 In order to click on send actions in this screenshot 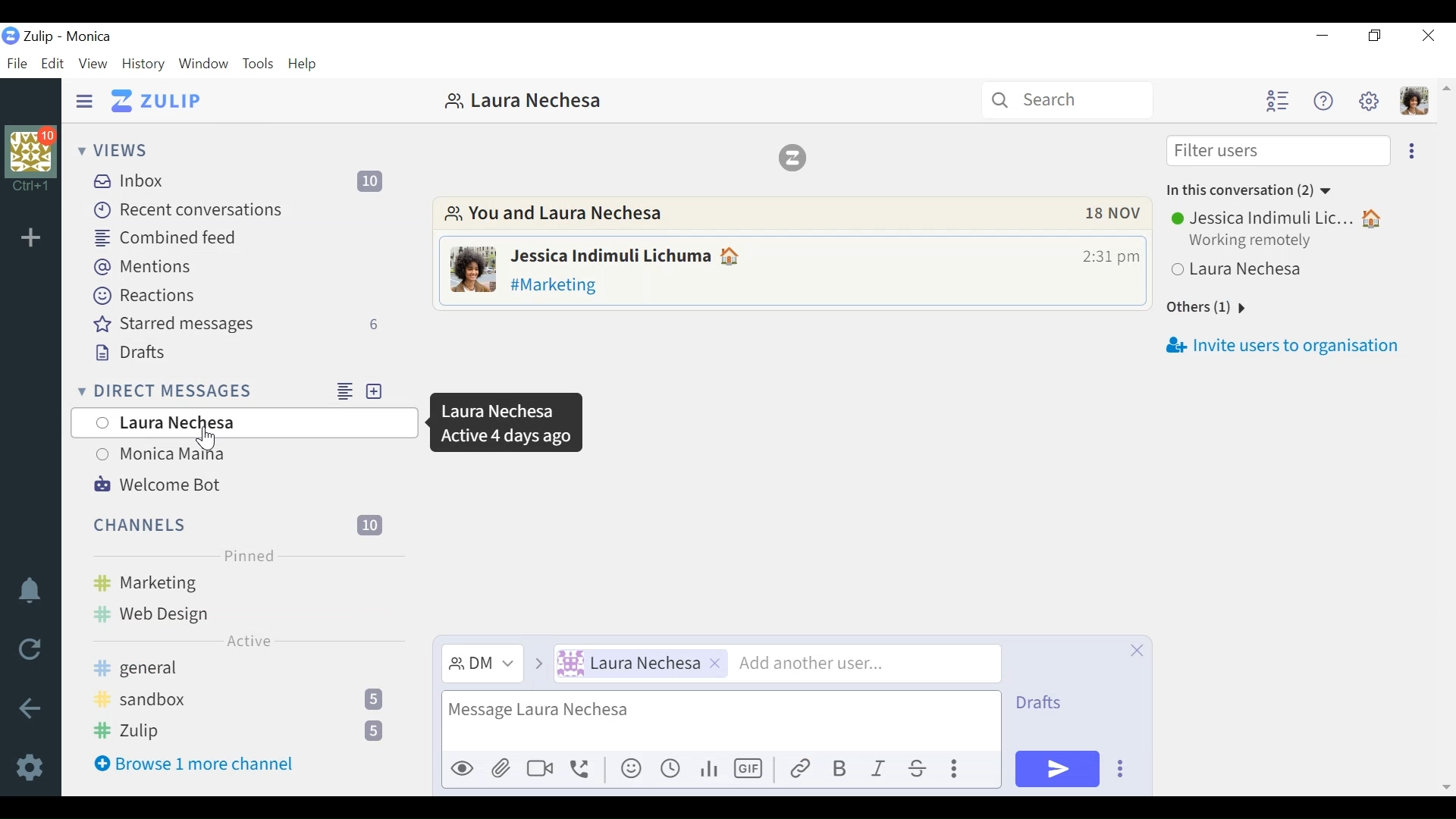, I will do `click(1118, 767)`.